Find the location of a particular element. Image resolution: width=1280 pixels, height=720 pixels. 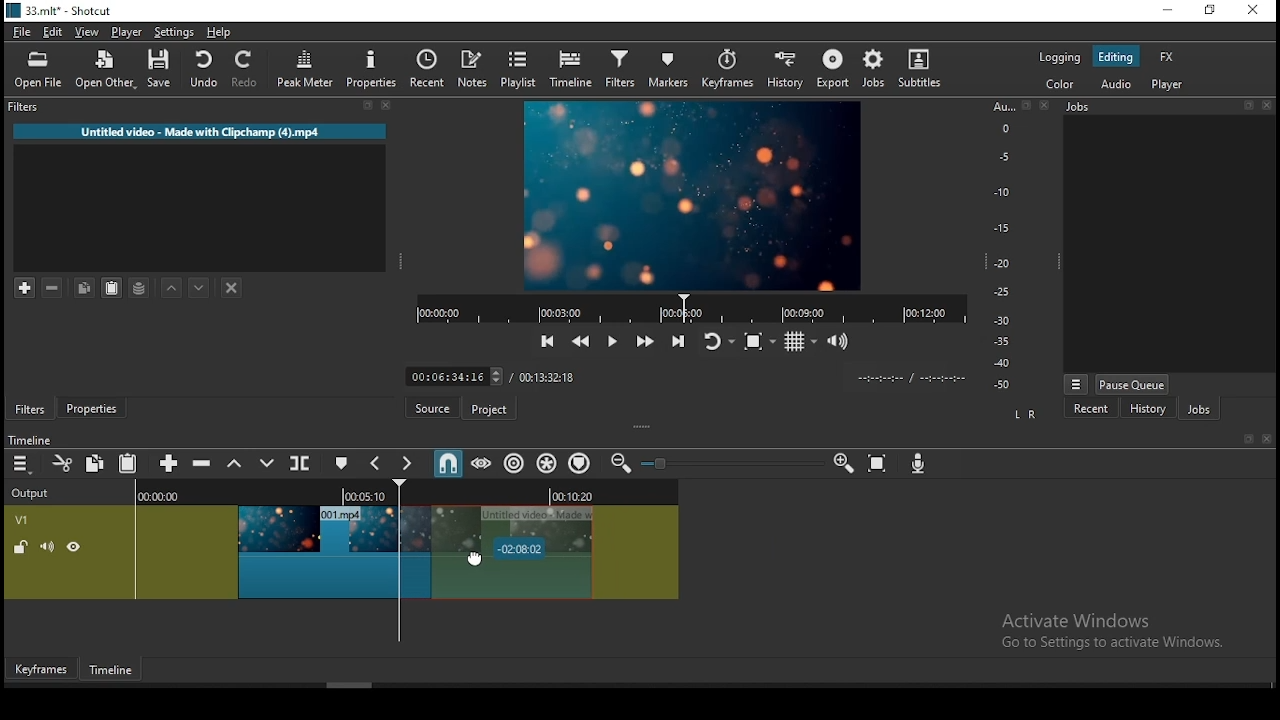

menu is located at coordinates (21, 464).